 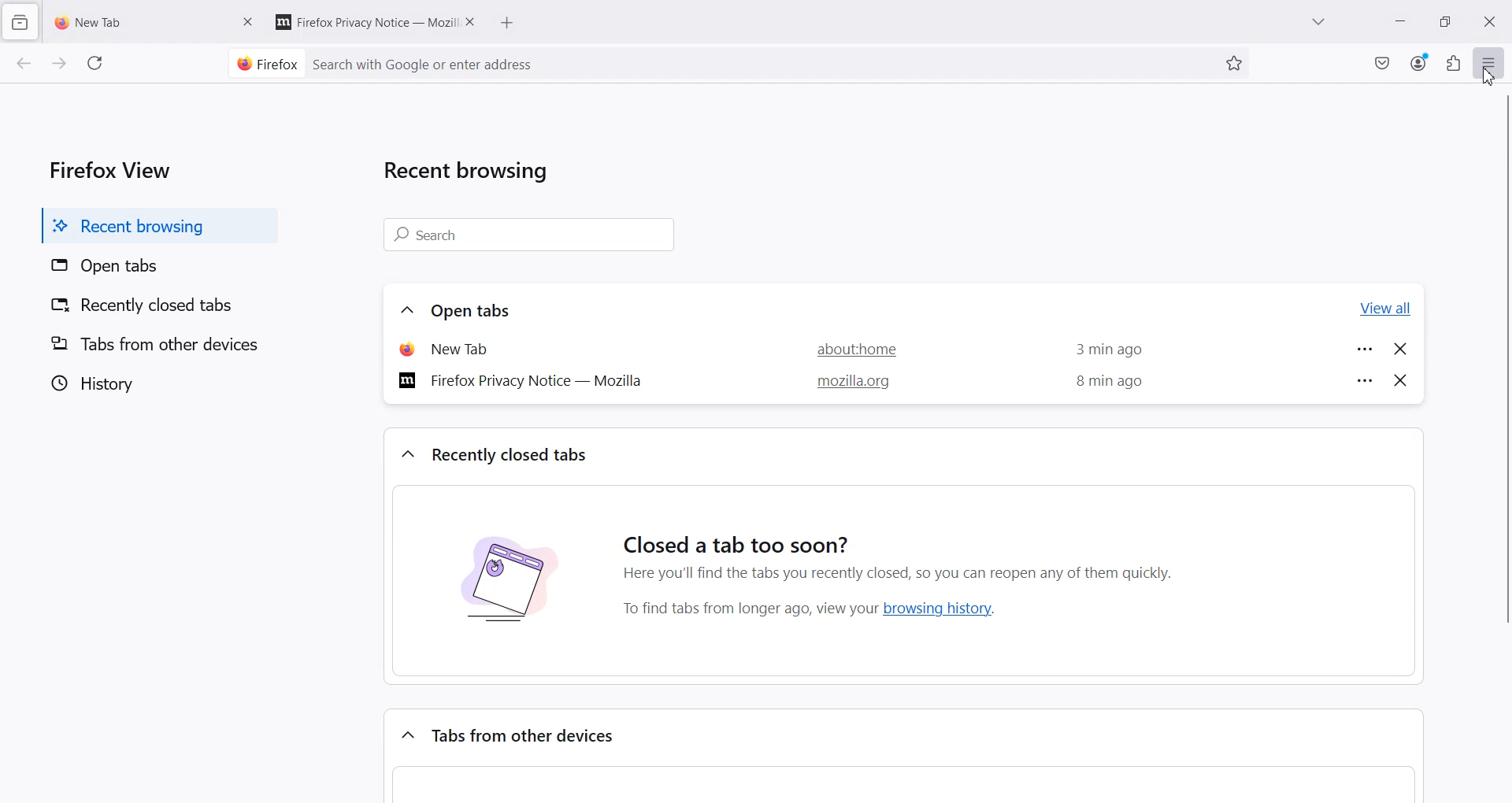 What do you see at coordinates (154, 383) in the screenshot?
I see `History` at bounding box center [154, 383].